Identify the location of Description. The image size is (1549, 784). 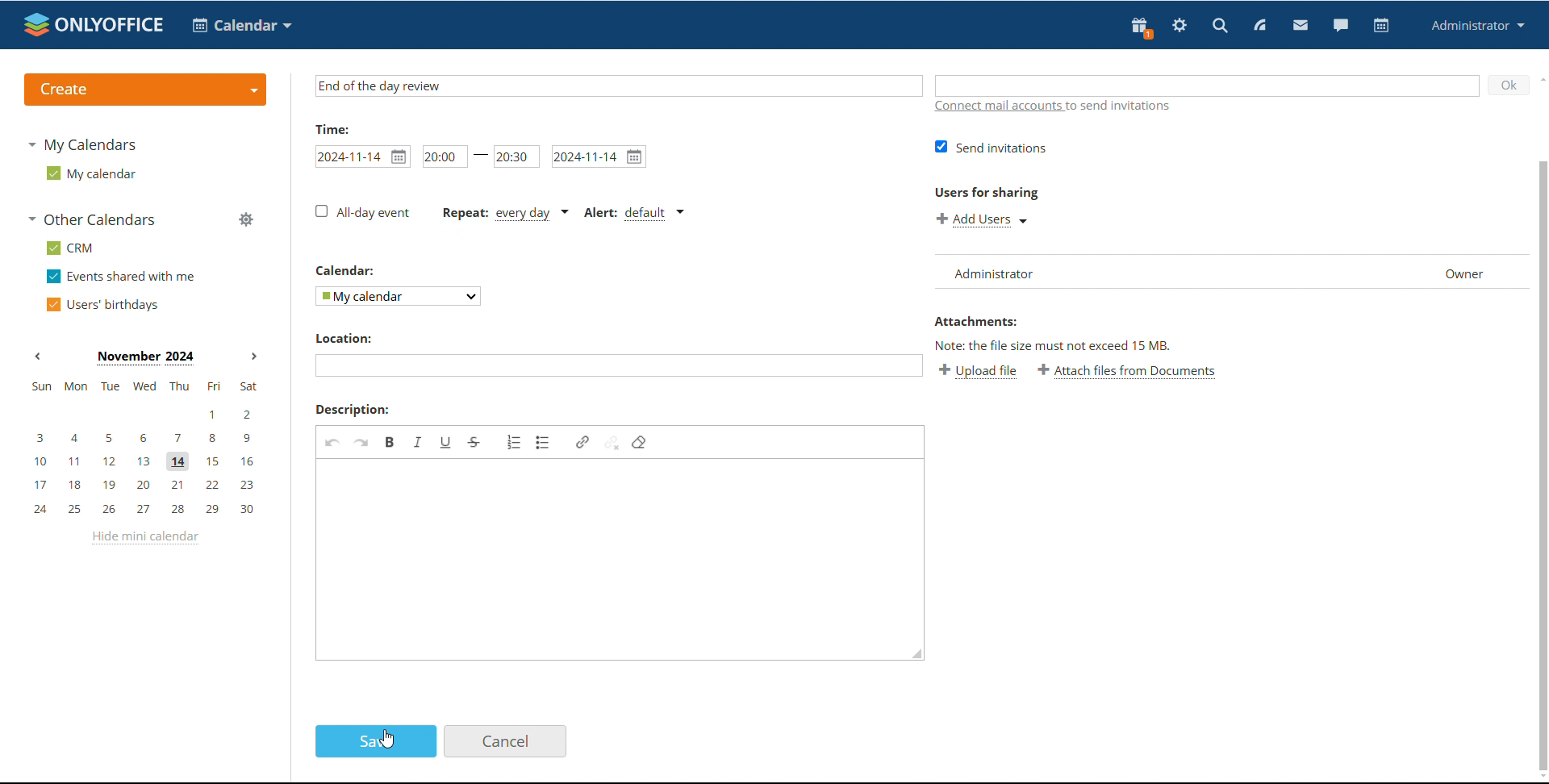
(353, 411).